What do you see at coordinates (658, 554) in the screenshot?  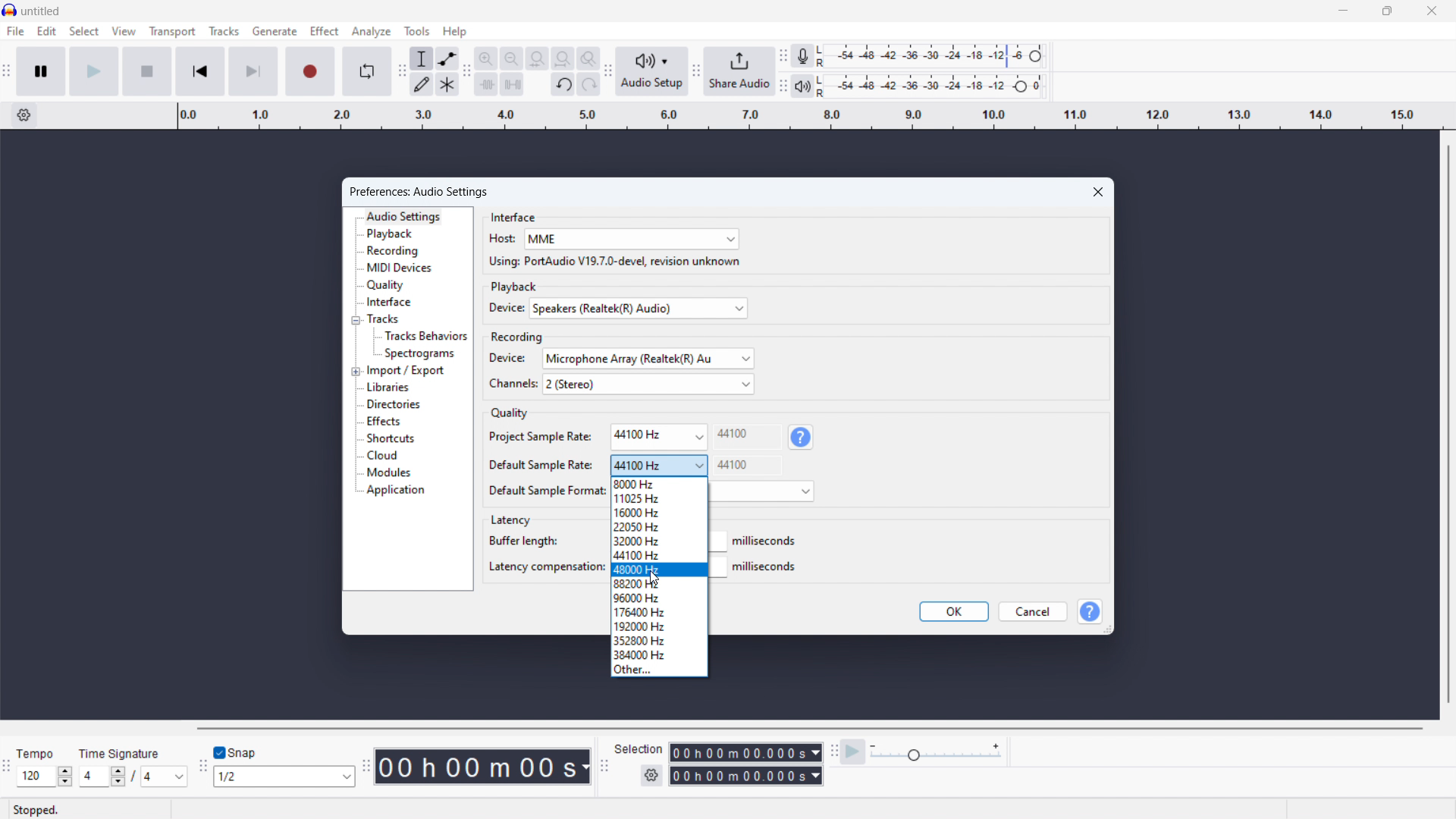 I see `44100 Hz` at bounding box center [658, 554].